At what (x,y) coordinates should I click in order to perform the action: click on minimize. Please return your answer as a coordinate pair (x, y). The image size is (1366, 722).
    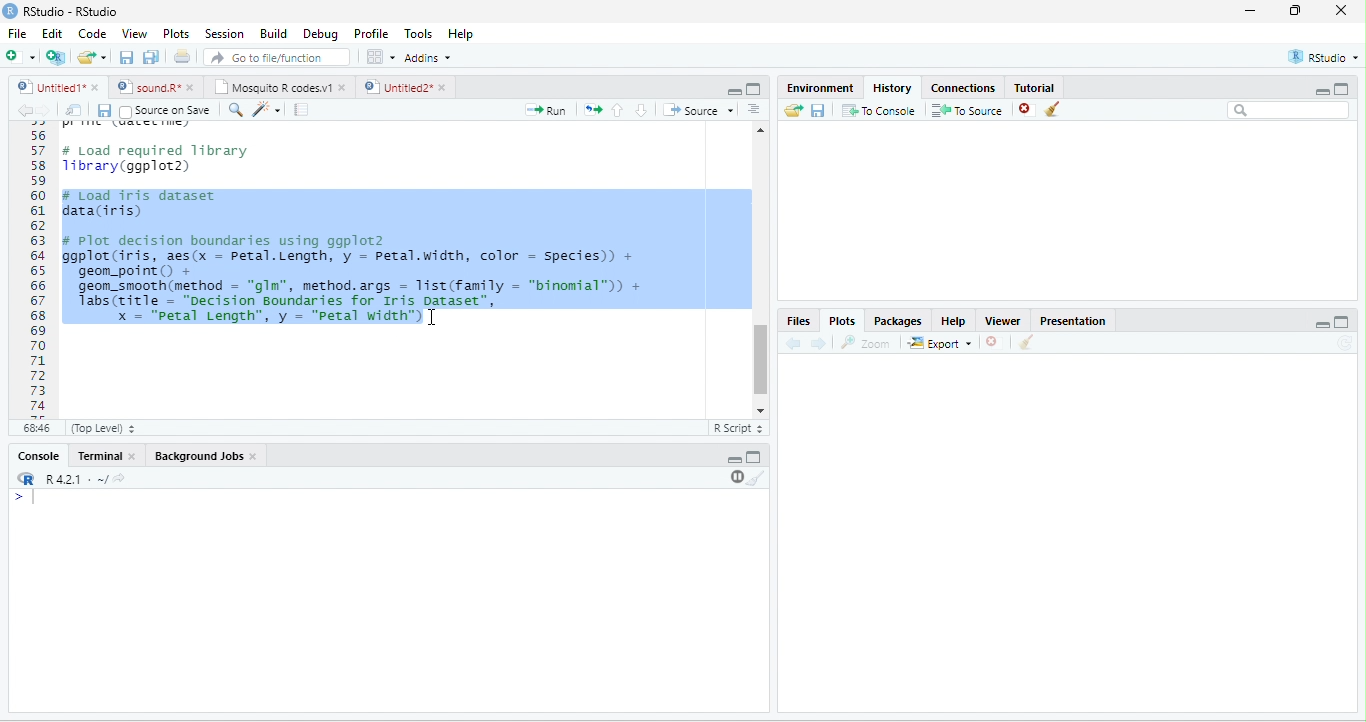
    Looking at the image, I should click on (734, 92).